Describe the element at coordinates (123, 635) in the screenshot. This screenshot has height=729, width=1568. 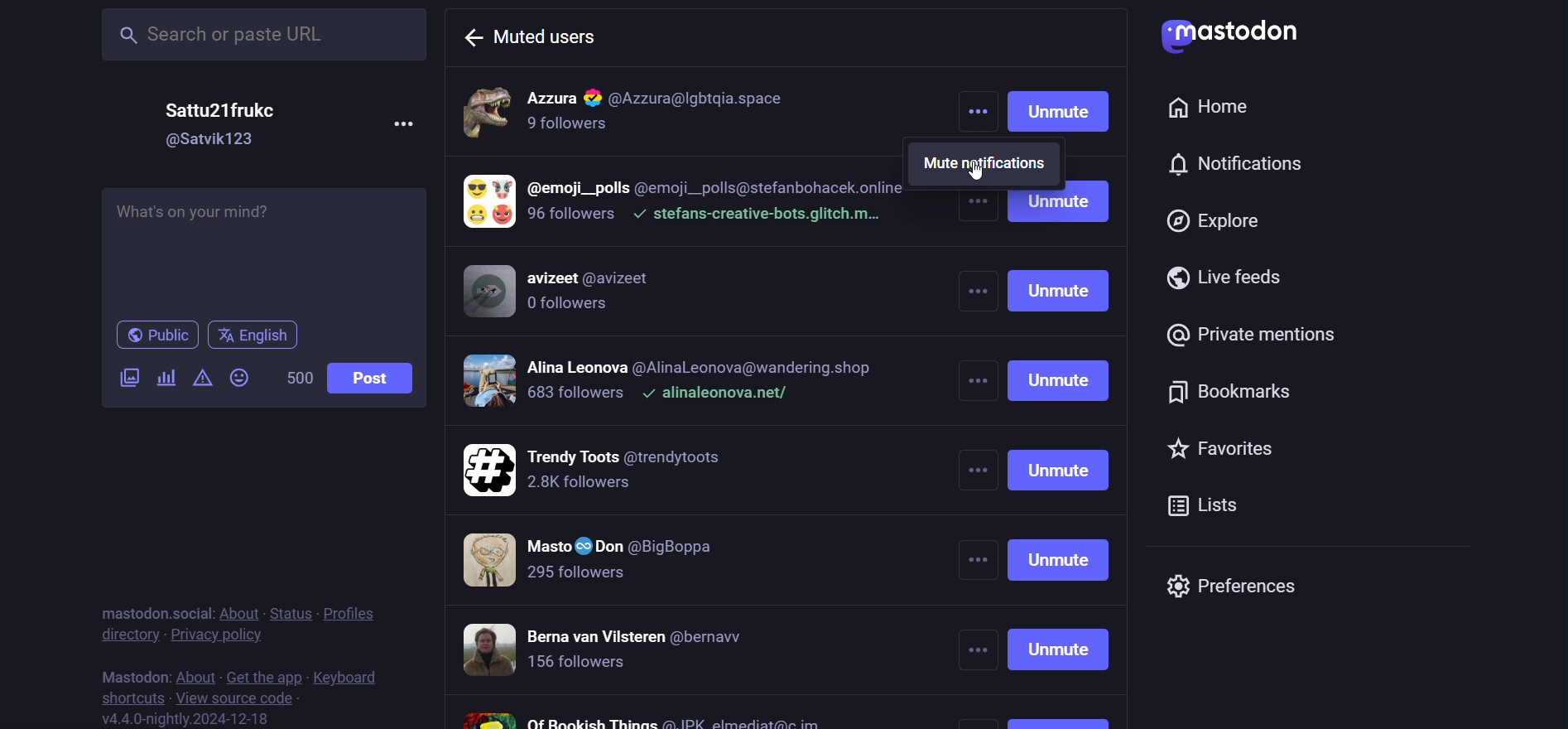
I see `directory` at that location.